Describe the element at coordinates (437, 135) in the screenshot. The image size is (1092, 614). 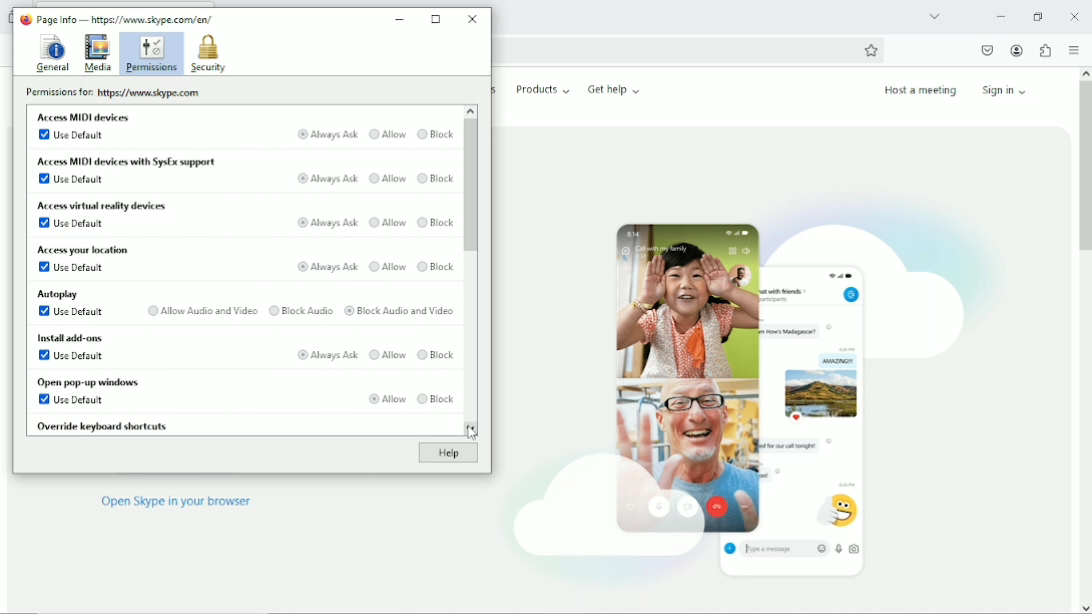
I see `Block` at that location.